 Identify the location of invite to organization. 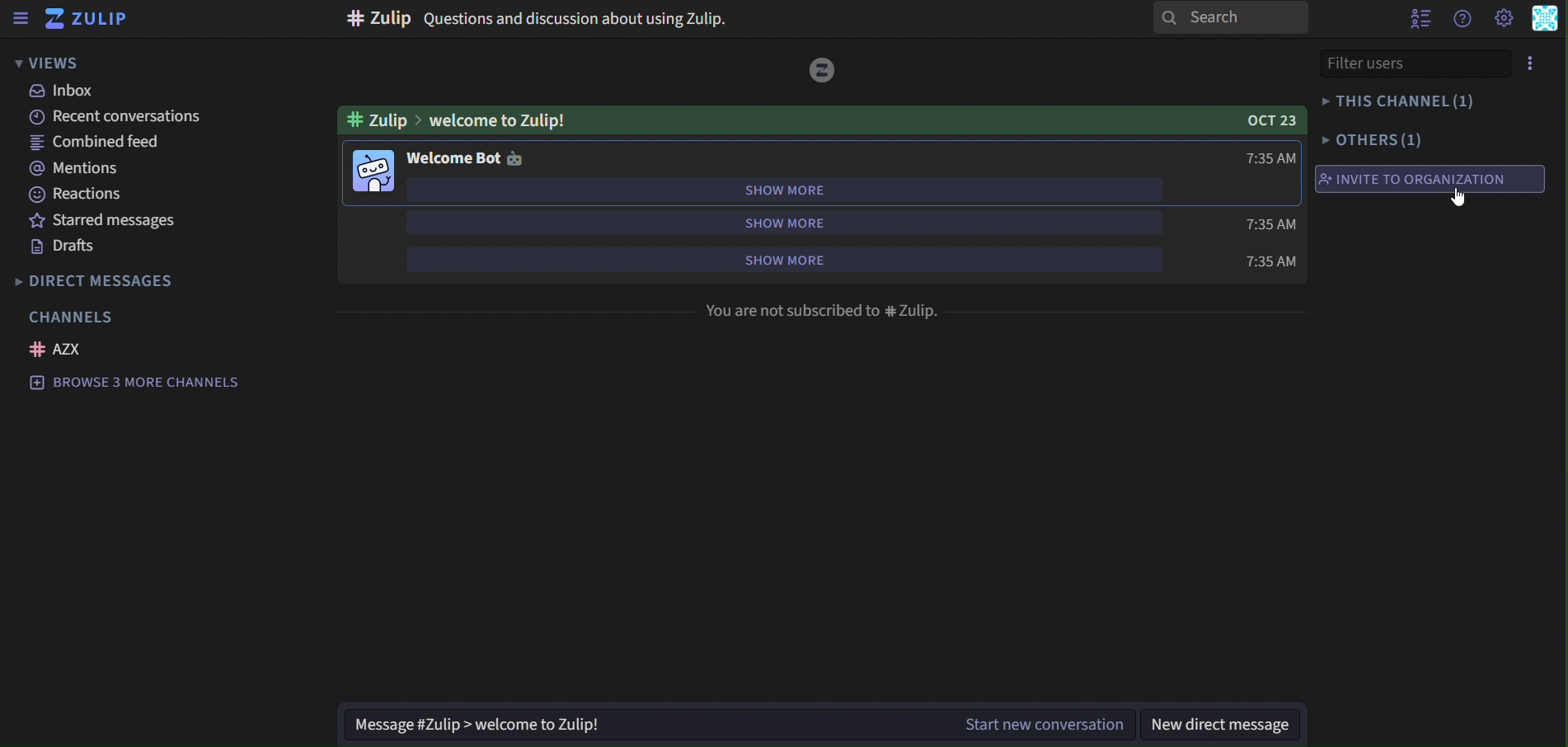
(1416, 178).